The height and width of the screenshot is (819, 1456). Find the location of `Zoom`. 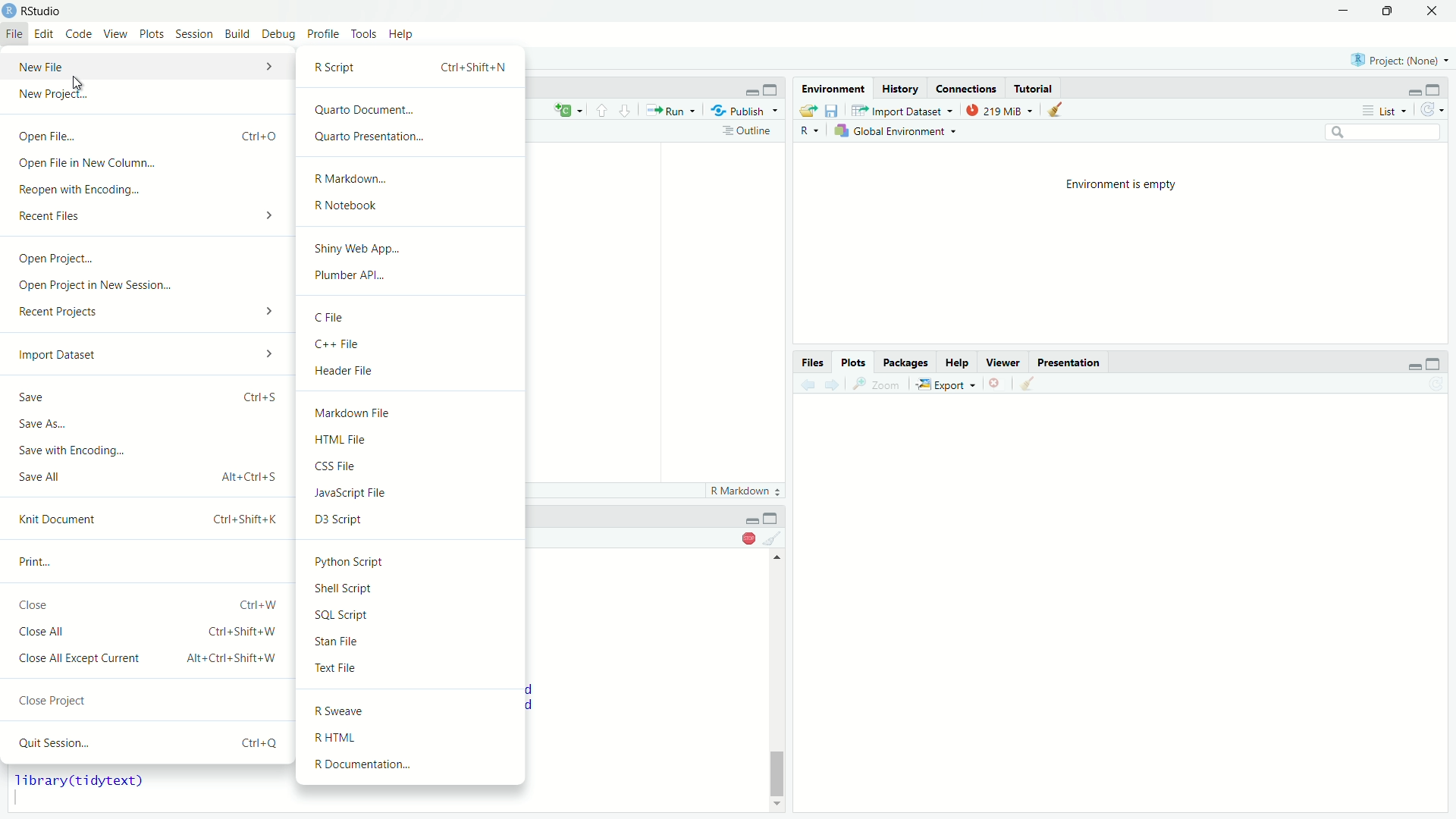

Zoom is located at coordinates (881, 385).